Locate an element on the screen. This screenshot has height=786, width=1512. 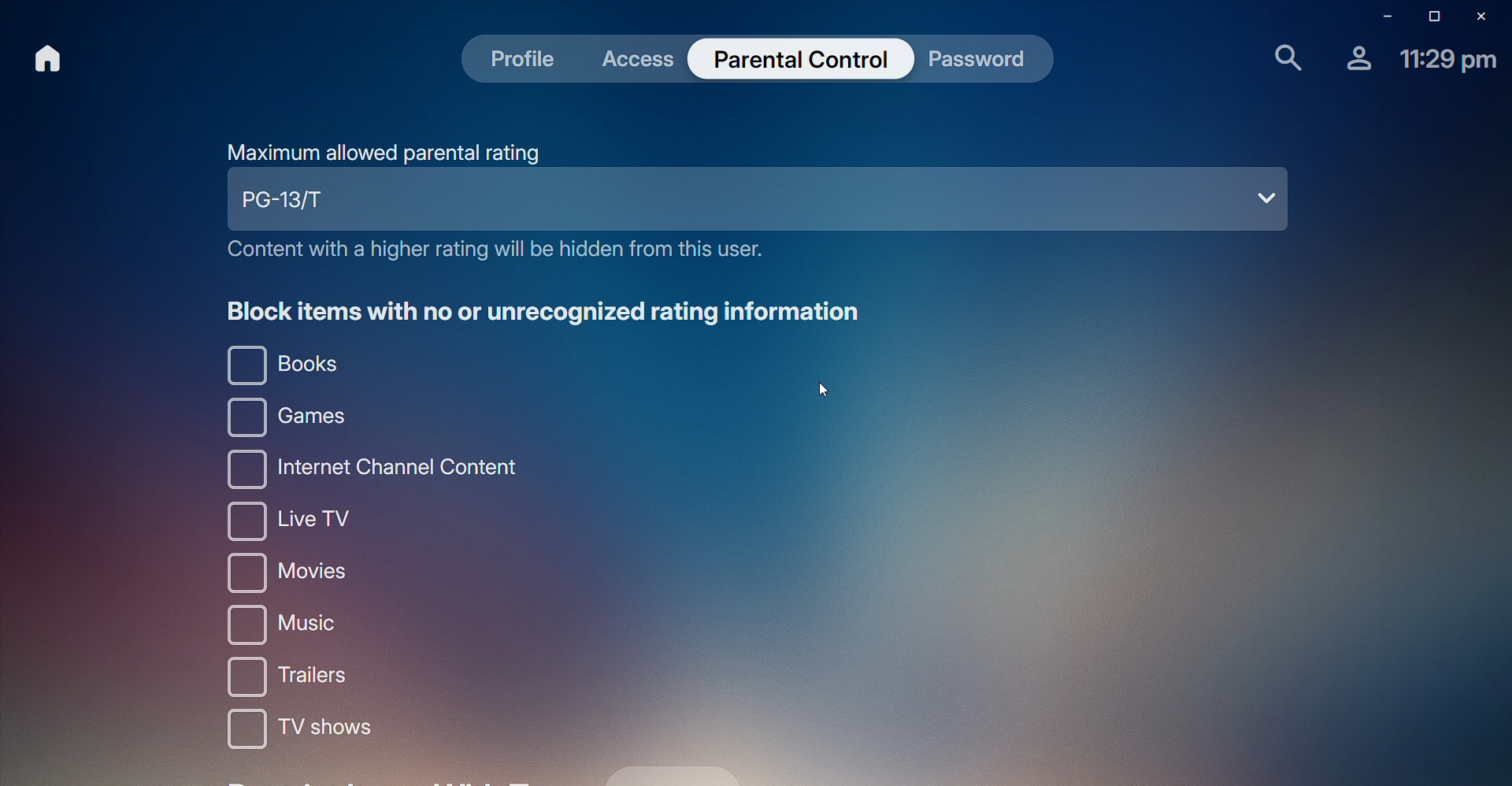
Close is located at coordinates (1485, 15).